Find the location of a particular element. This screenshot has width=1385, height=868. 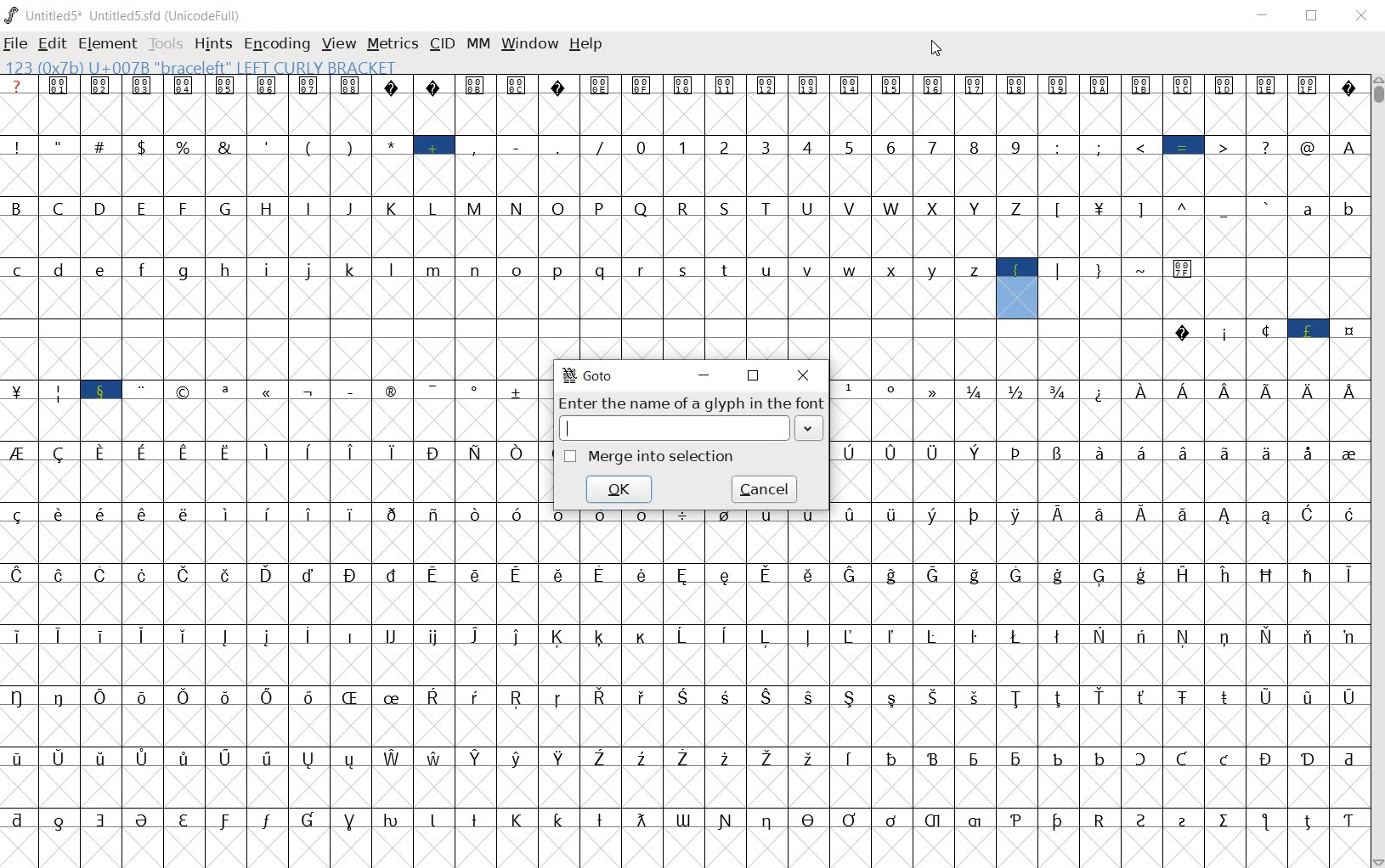

GLYPHS is located at coordinates (273, 459).